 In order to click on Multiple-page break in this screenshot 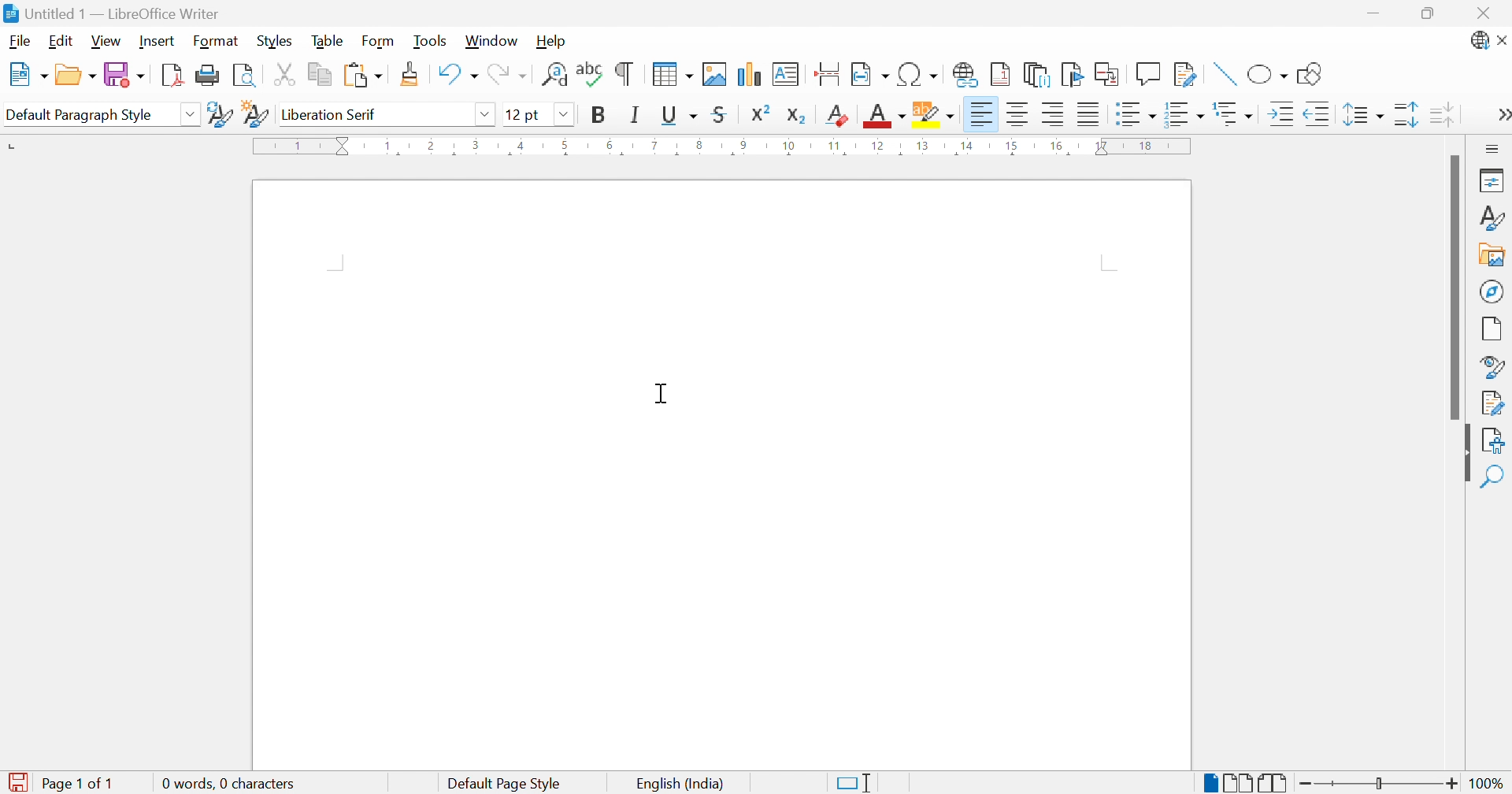, I will do `click(1237, 785)`.